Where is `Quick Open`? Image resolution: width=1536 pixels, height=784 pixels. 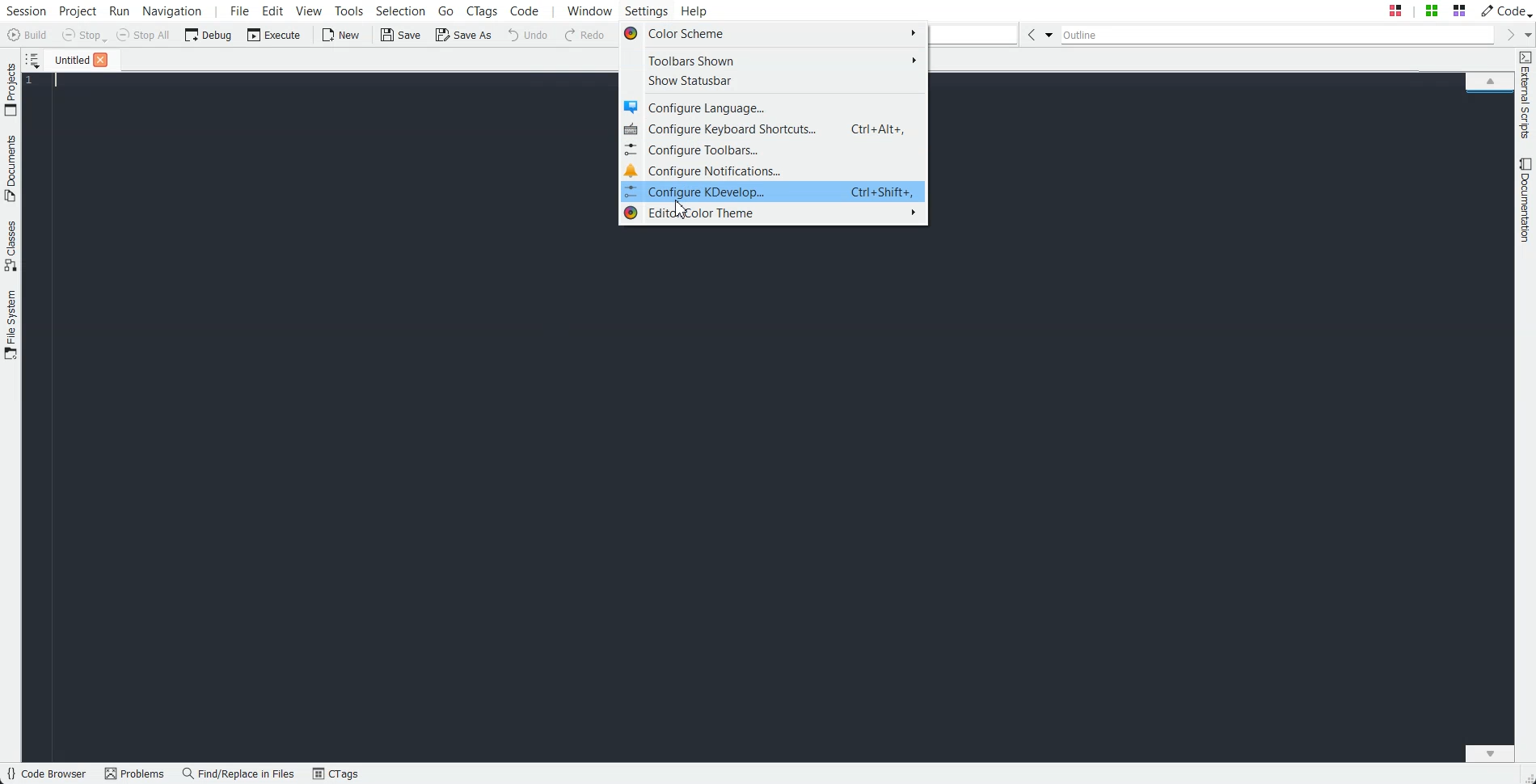 Quick Open is located at coordinates (973, 34).